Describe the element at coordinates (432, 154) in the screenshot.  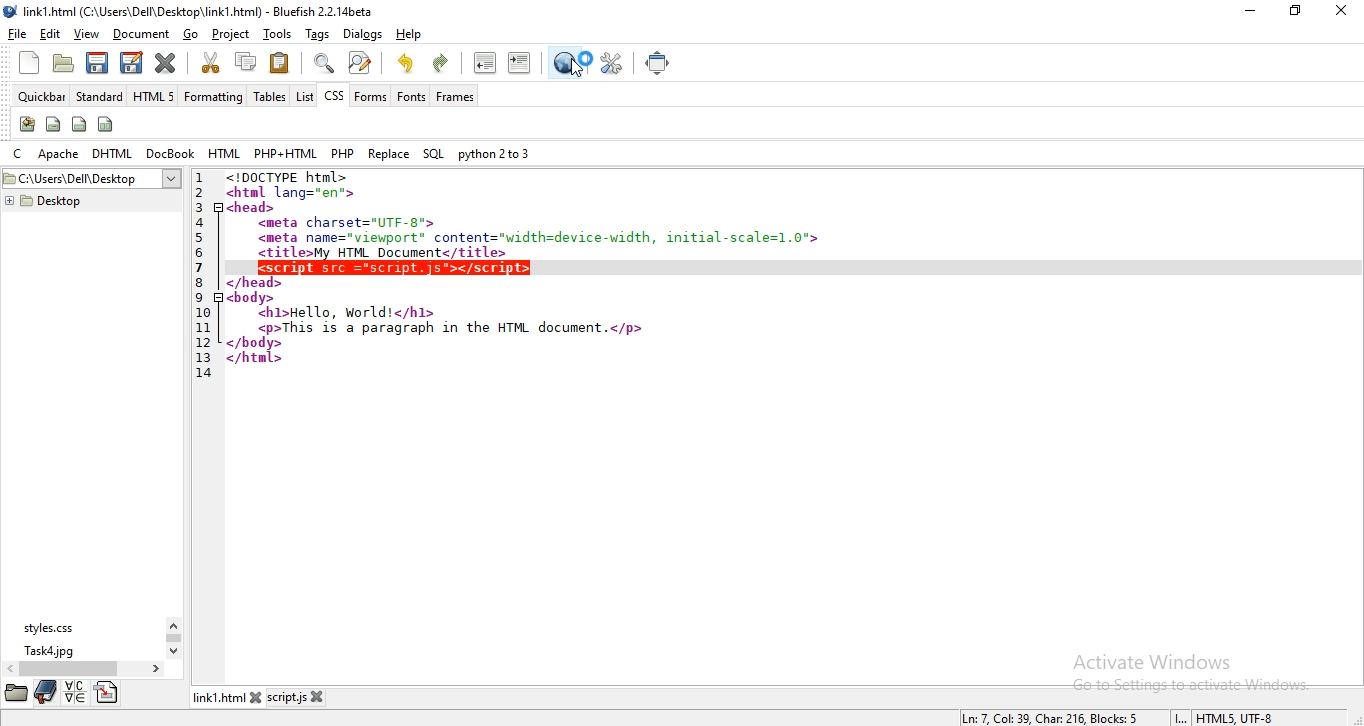
I see `sql` at that location.